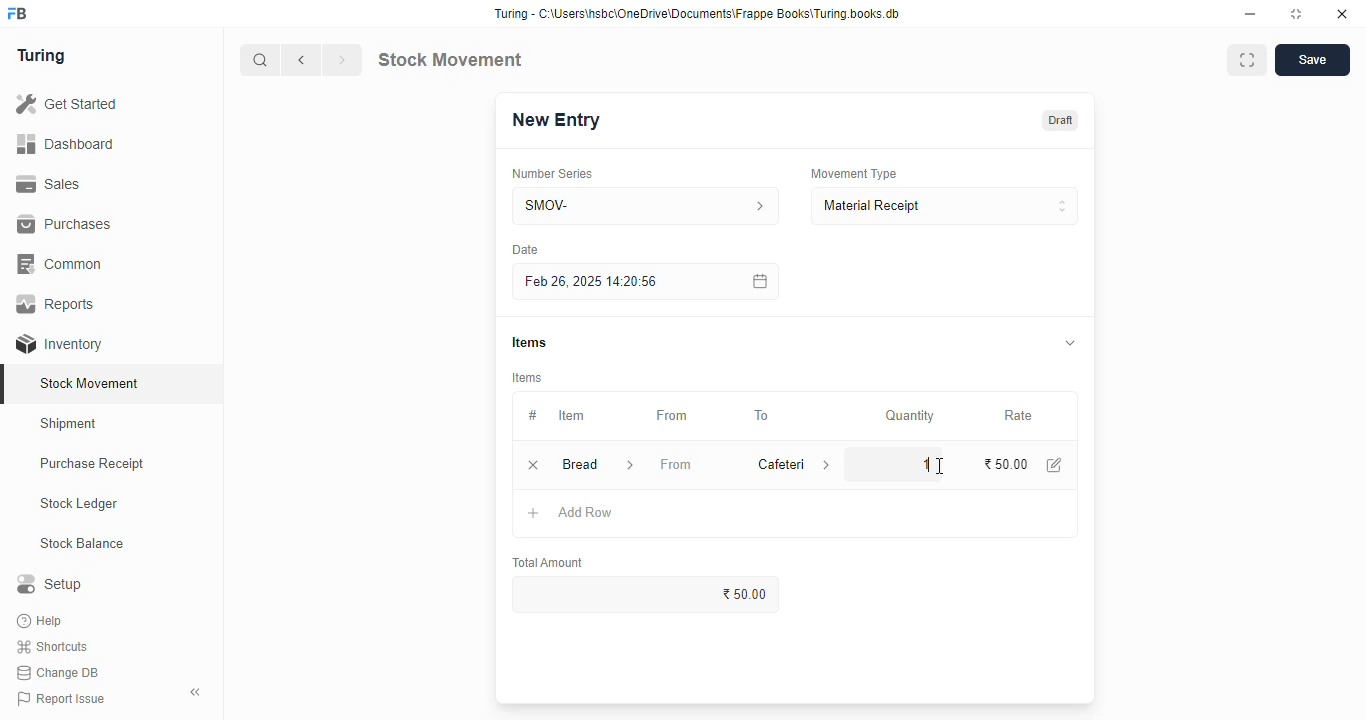  Describe the element at coordinates (534, 514) in the screenshot. I see `add` at that location.